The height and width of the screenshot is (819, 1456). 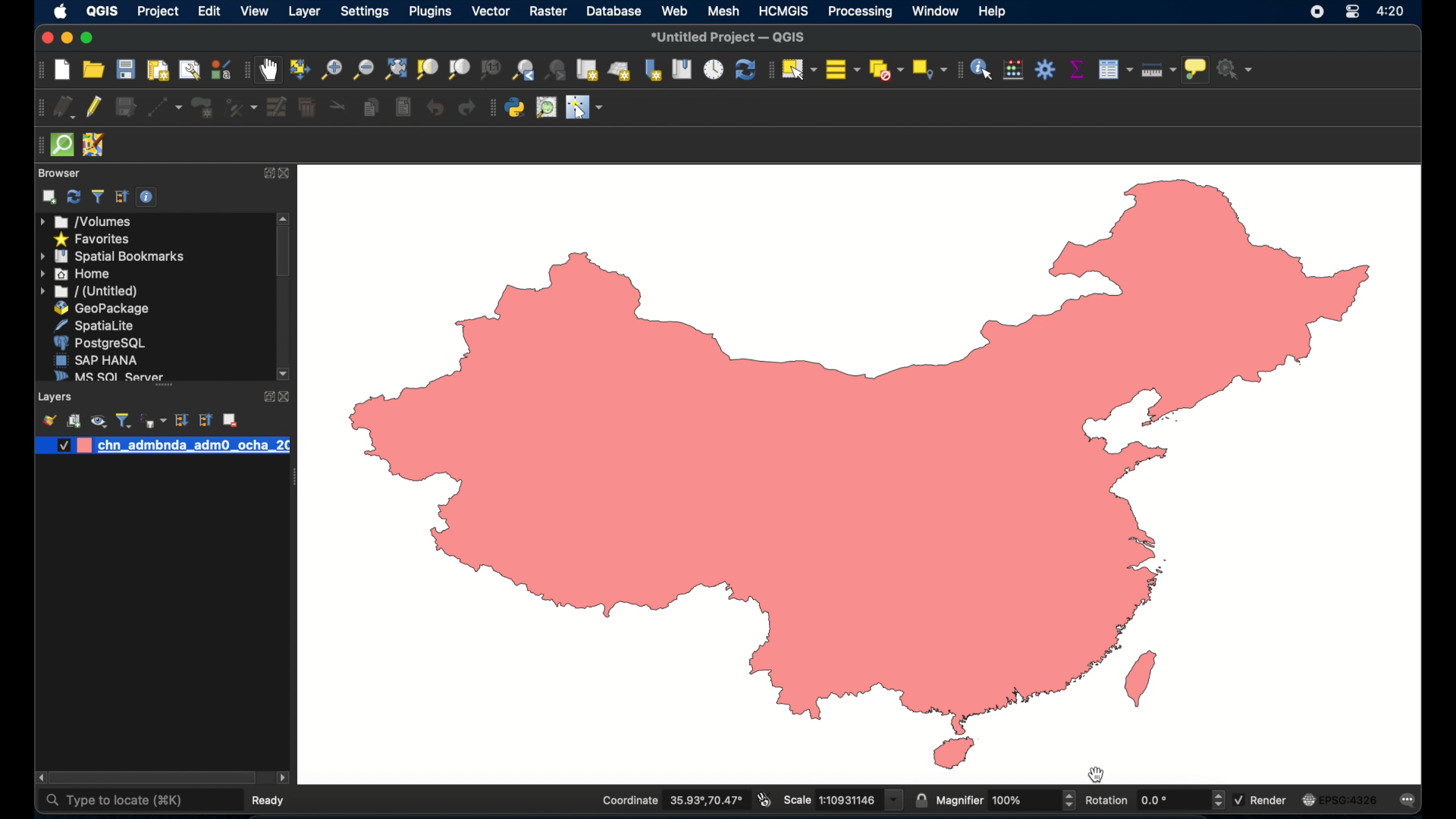 I want to click on minimize , so click(x=65, y=39).